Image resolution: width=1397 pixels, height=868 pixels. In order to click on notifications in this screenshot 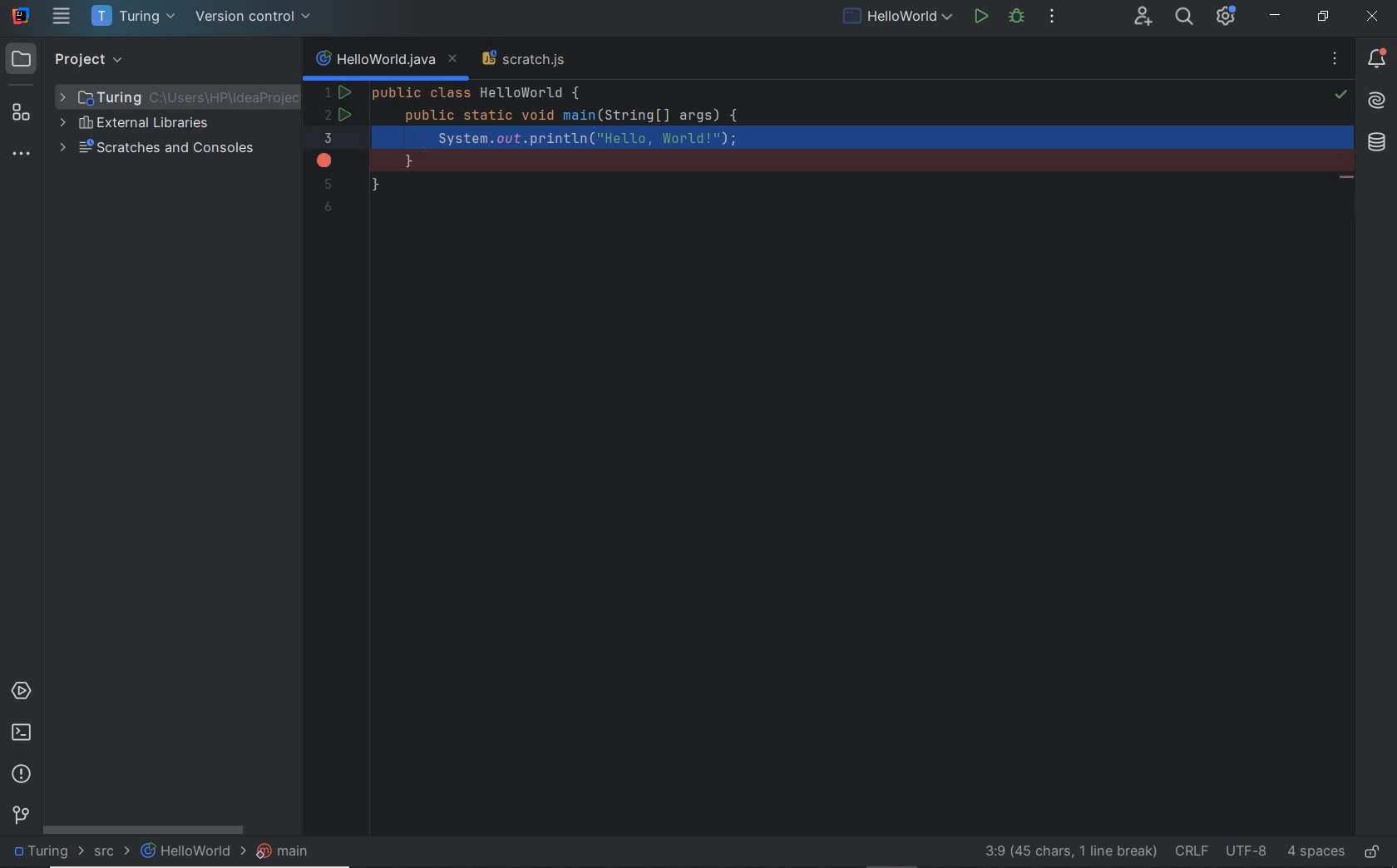, I will do `click(1374, 56)`.